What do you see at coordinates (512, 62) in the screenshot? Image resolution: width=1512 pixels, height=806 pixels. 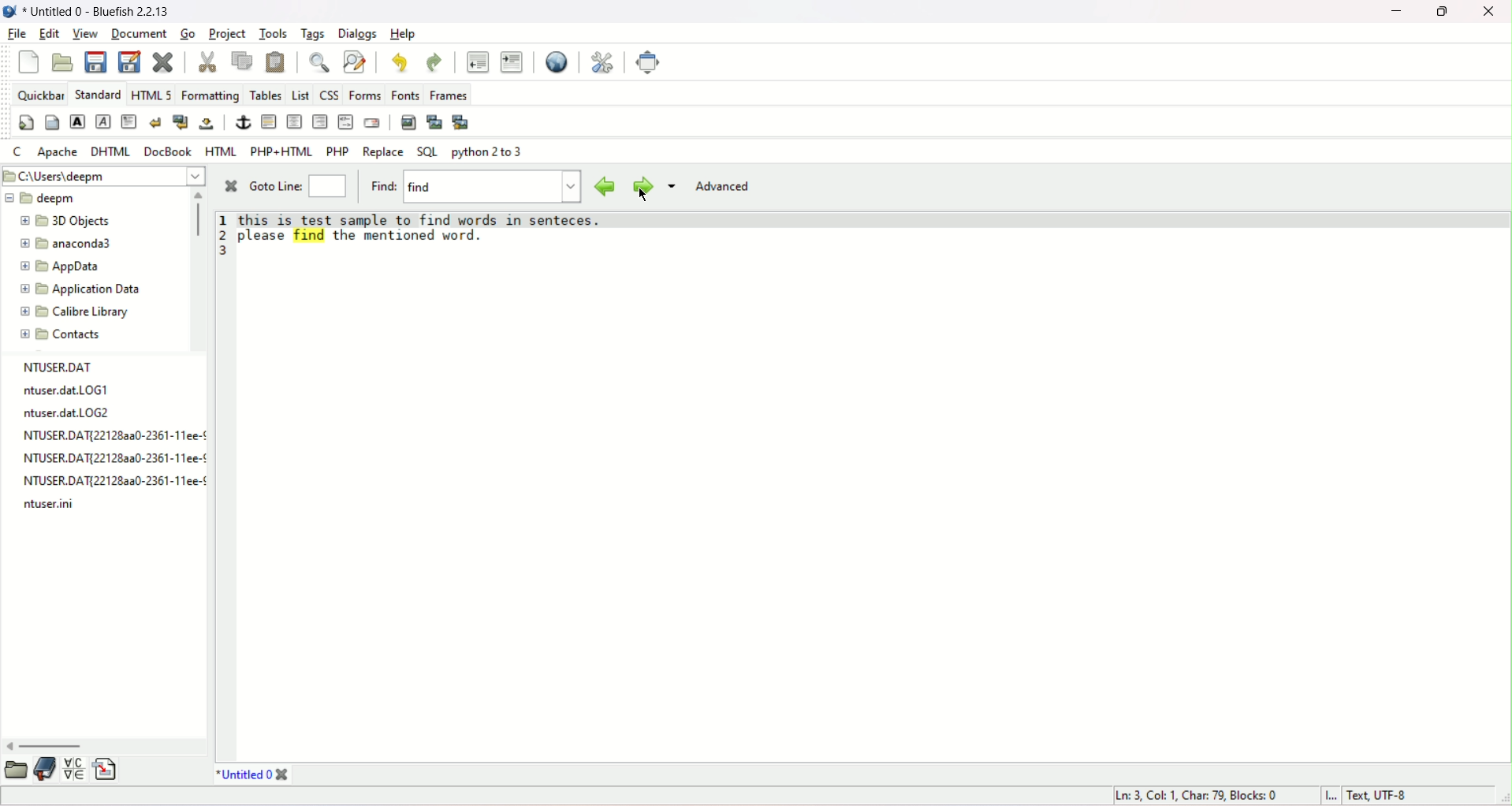 I see `indent` at bounding box center [512, 62].